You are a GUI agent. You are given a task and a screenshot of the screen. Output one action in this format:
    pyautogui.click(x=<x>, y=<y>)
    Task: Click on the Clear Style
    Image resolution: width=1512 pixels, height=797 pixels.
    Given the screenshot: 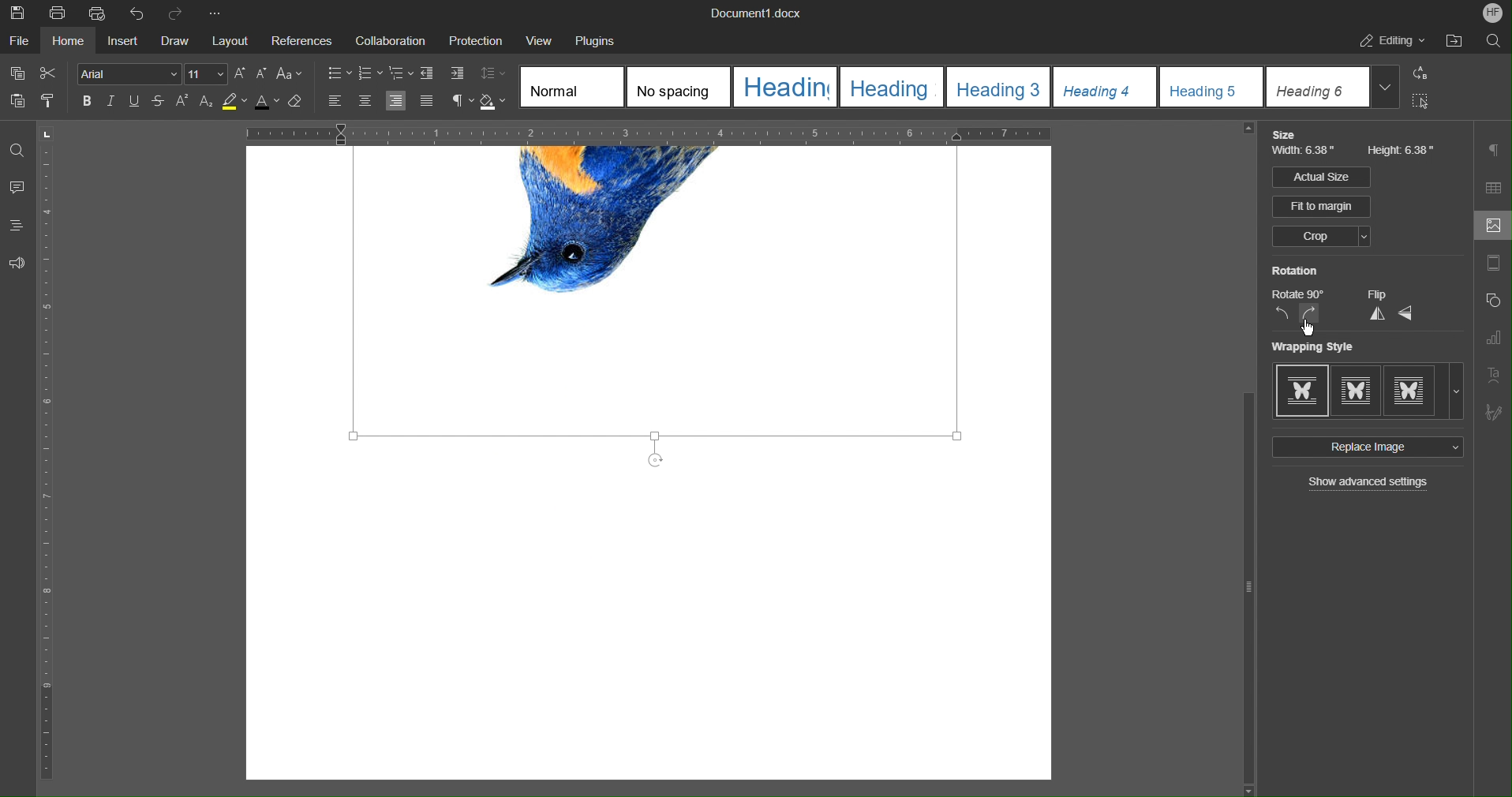 What is the action you would take?
    pyautogui.click(x=300, y=104)
    